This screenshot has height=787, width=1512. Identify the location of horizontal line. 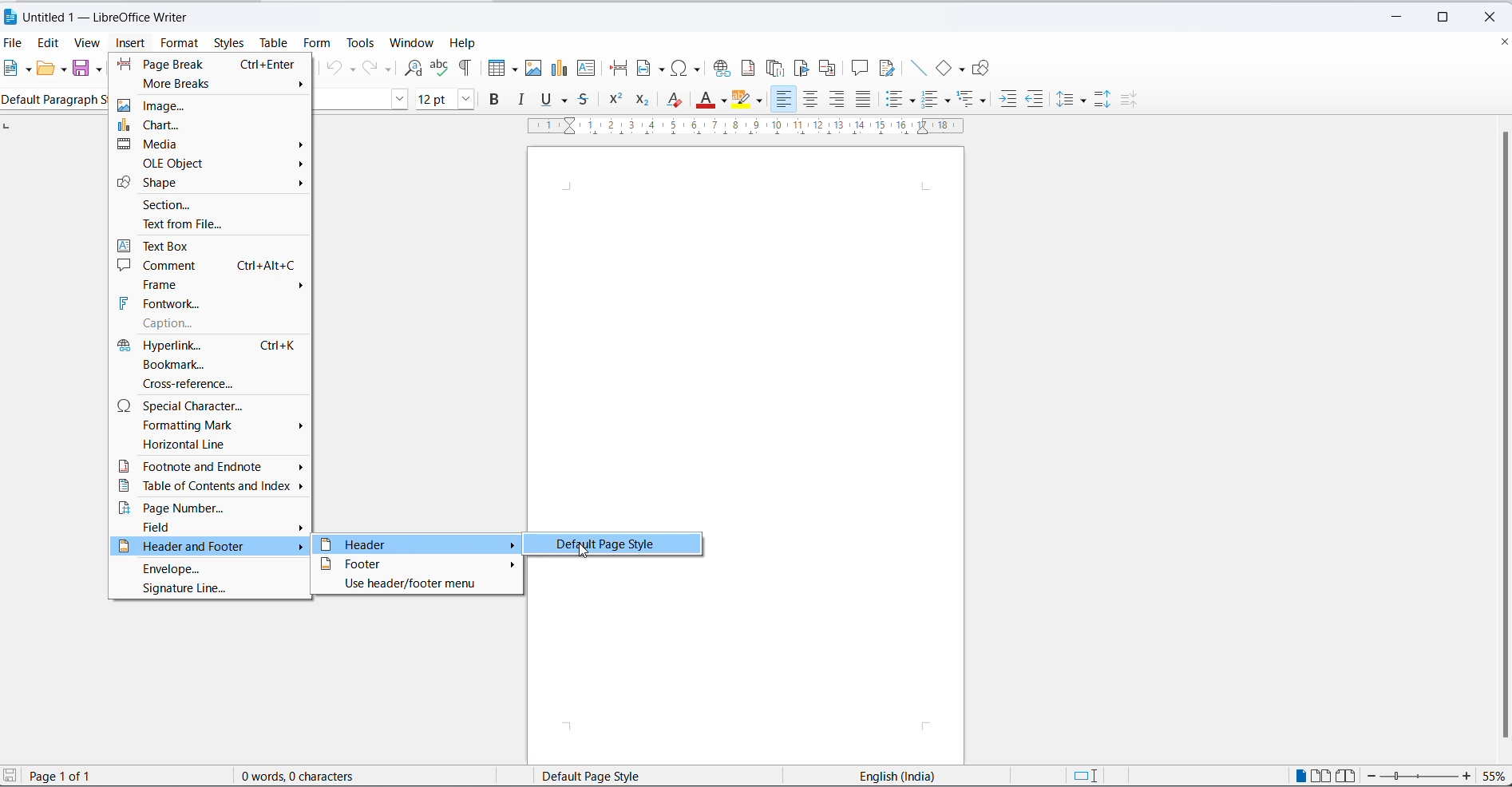
(212, 449).